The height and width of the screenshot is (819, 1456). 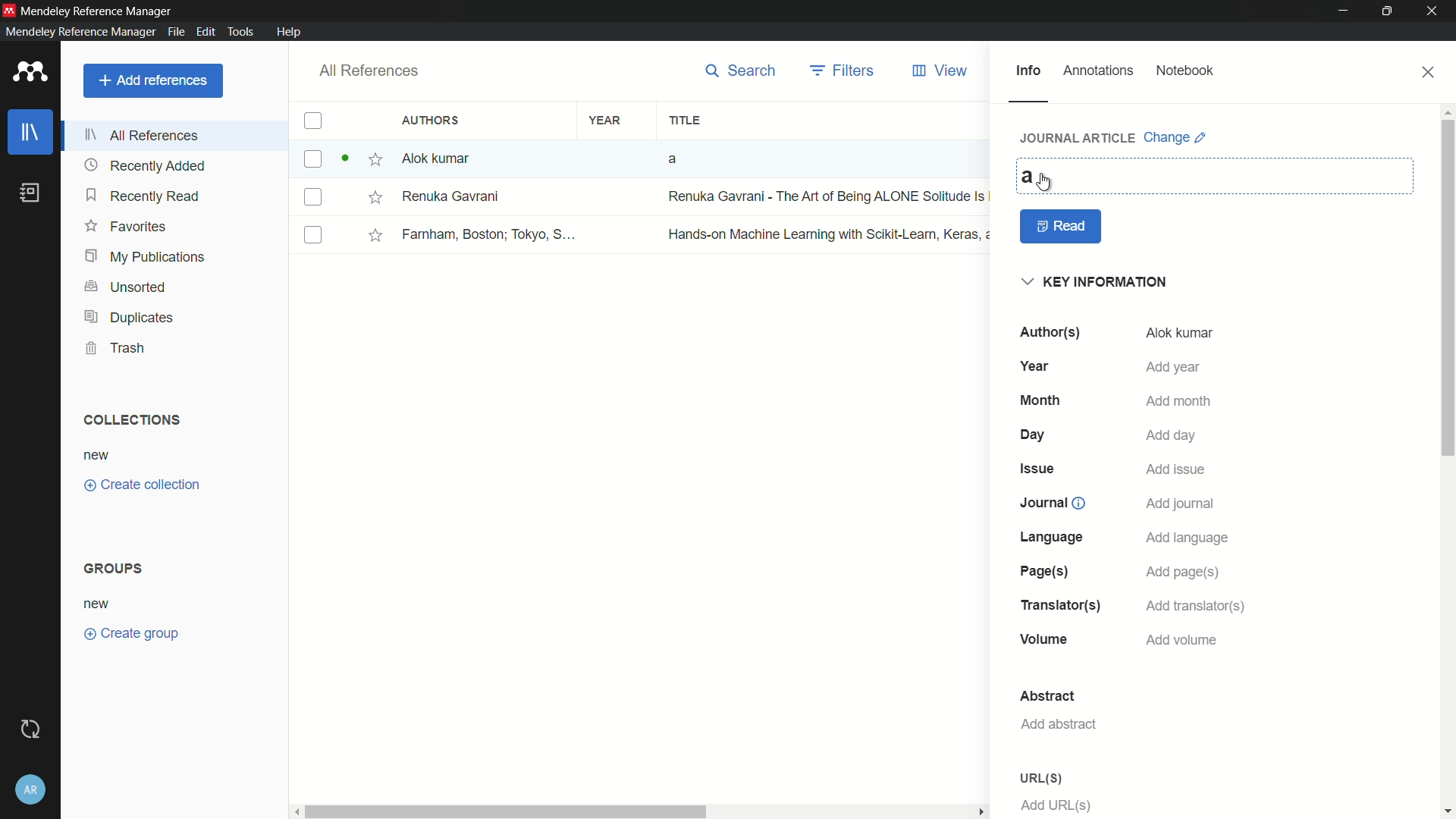 I want to click on language, so click(x=1053, y=537).